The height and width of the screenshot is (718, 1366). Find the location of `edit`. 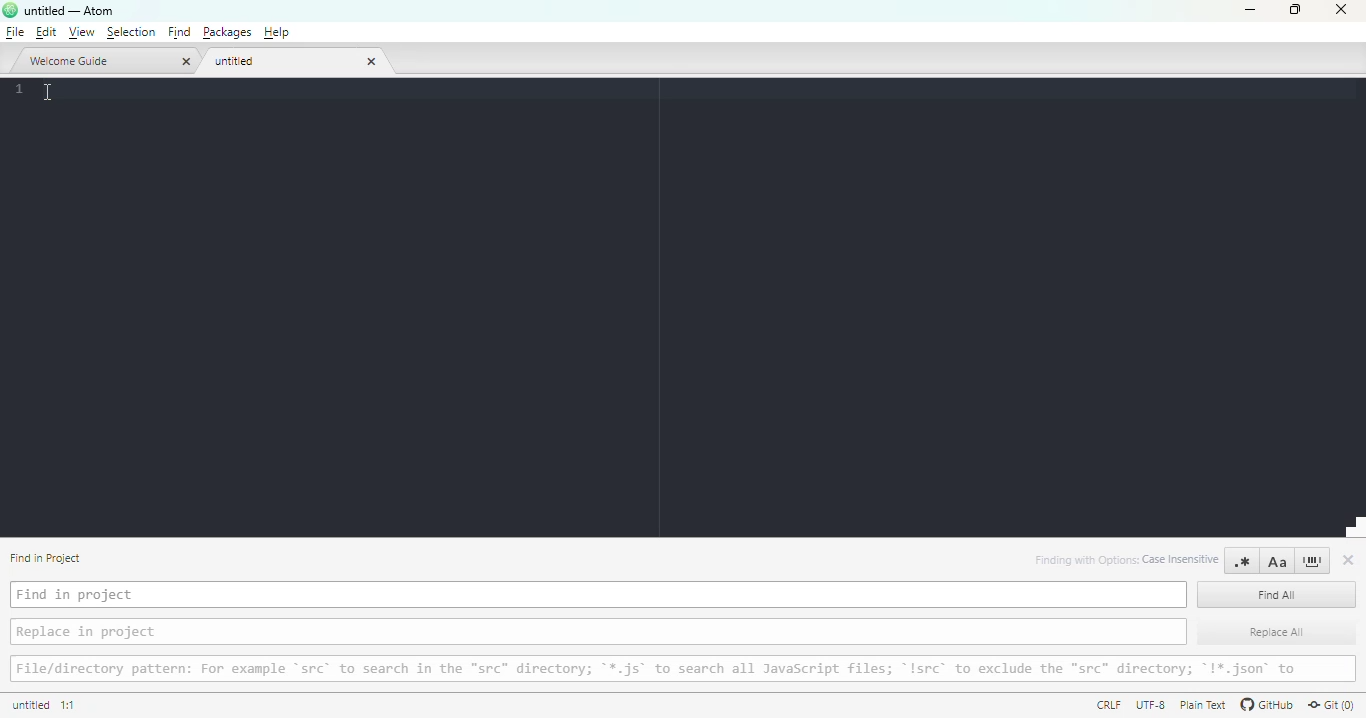

edit is located at coordinates (46, 32).